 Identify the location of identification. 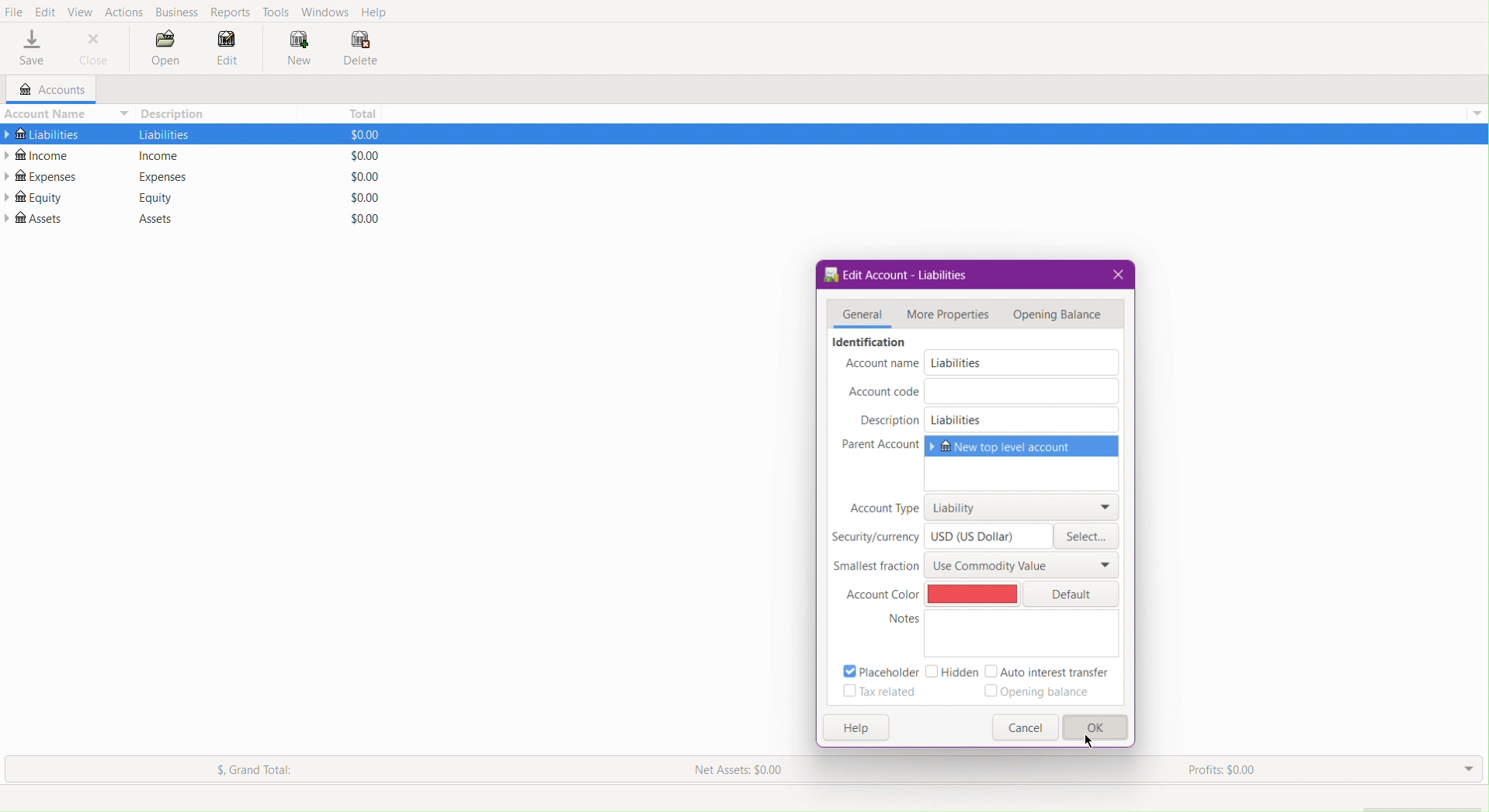
(871, 343).